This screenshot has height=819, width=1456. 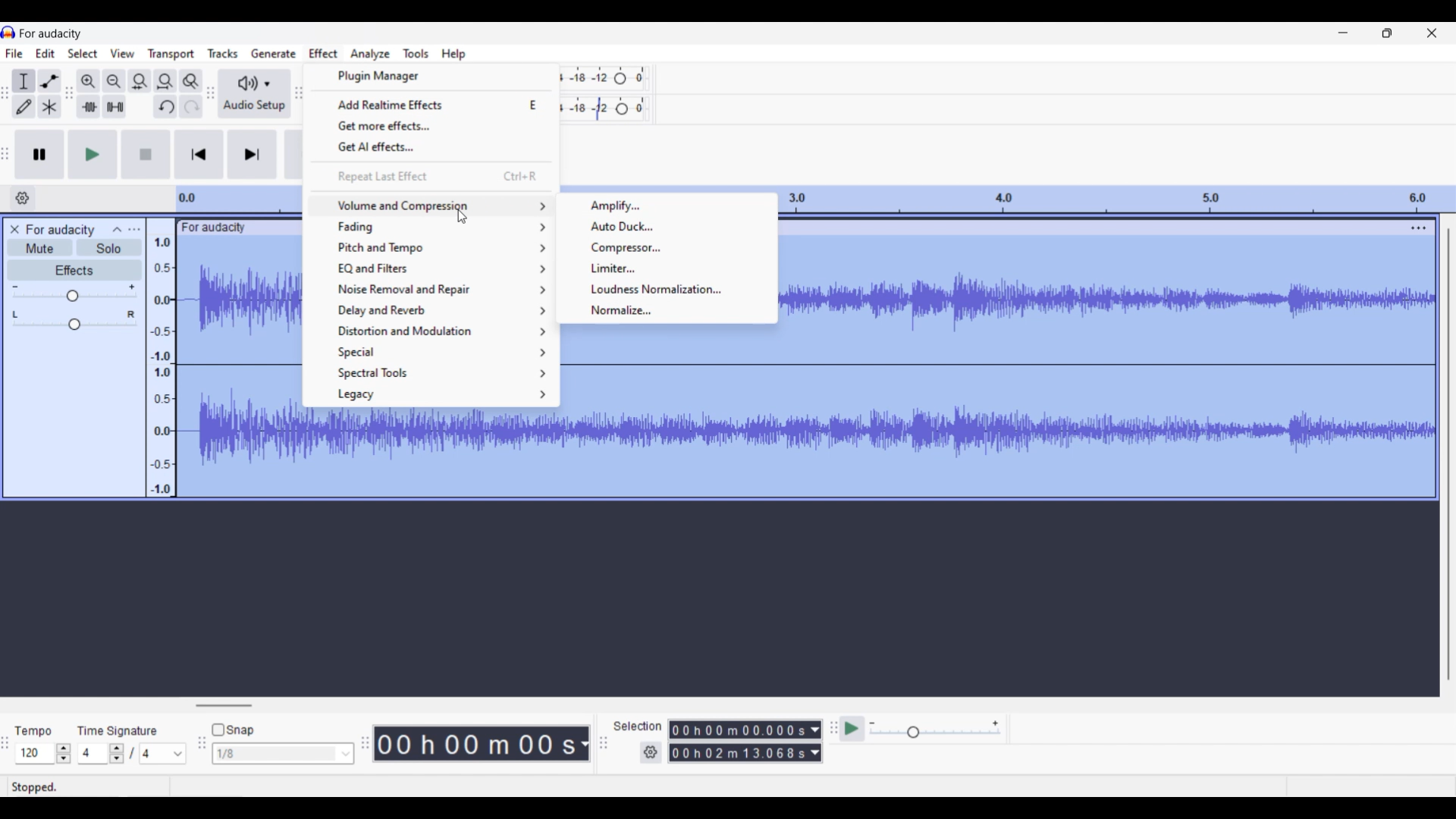 What do you see at coordinates (24, 107) in the screenshot?
I see `Draw tool` at bounding box center [24, 107].